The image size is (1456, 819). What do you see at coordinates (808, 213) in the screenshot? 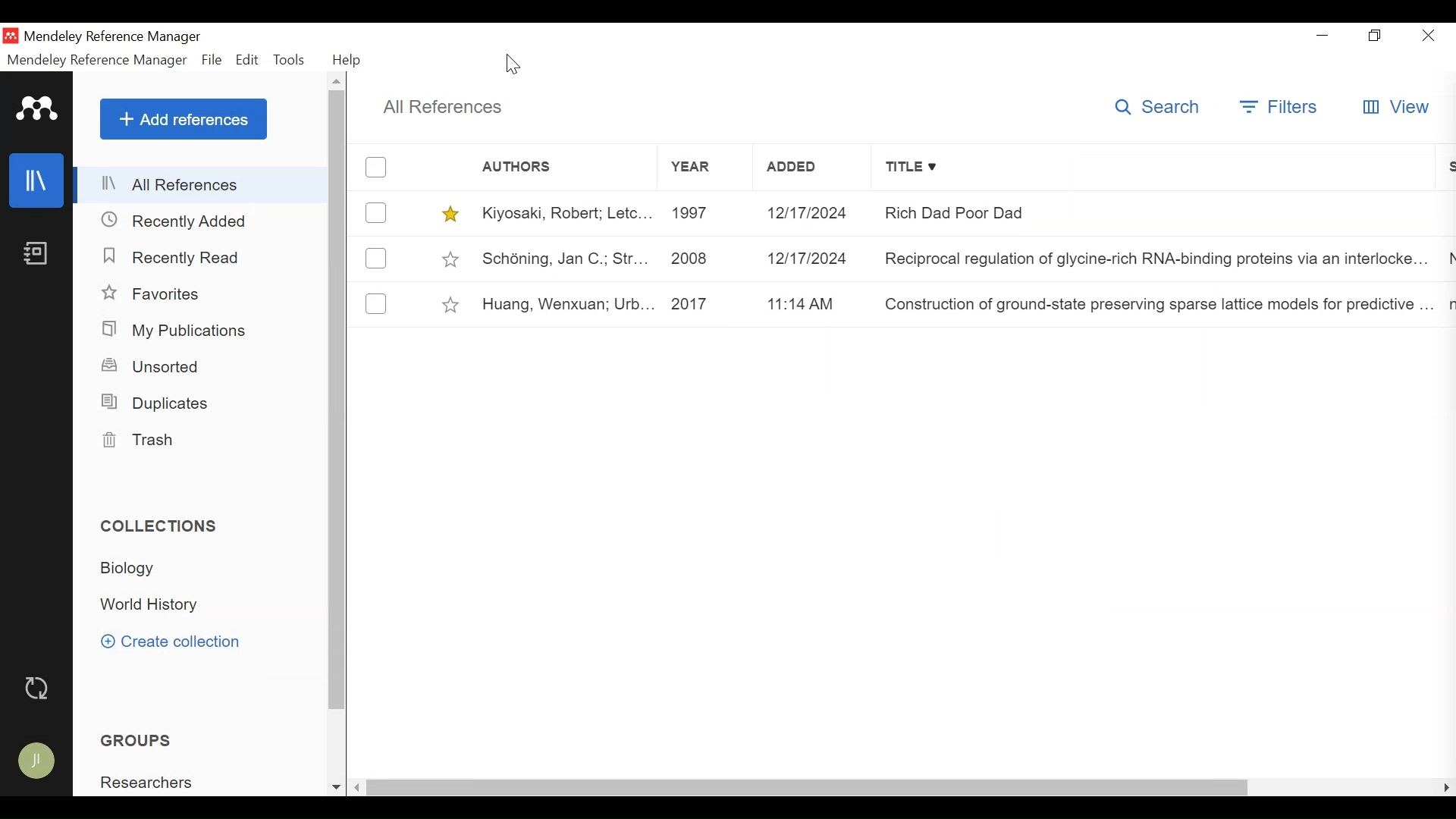
I see `Added` at bounding box center [808, 213].